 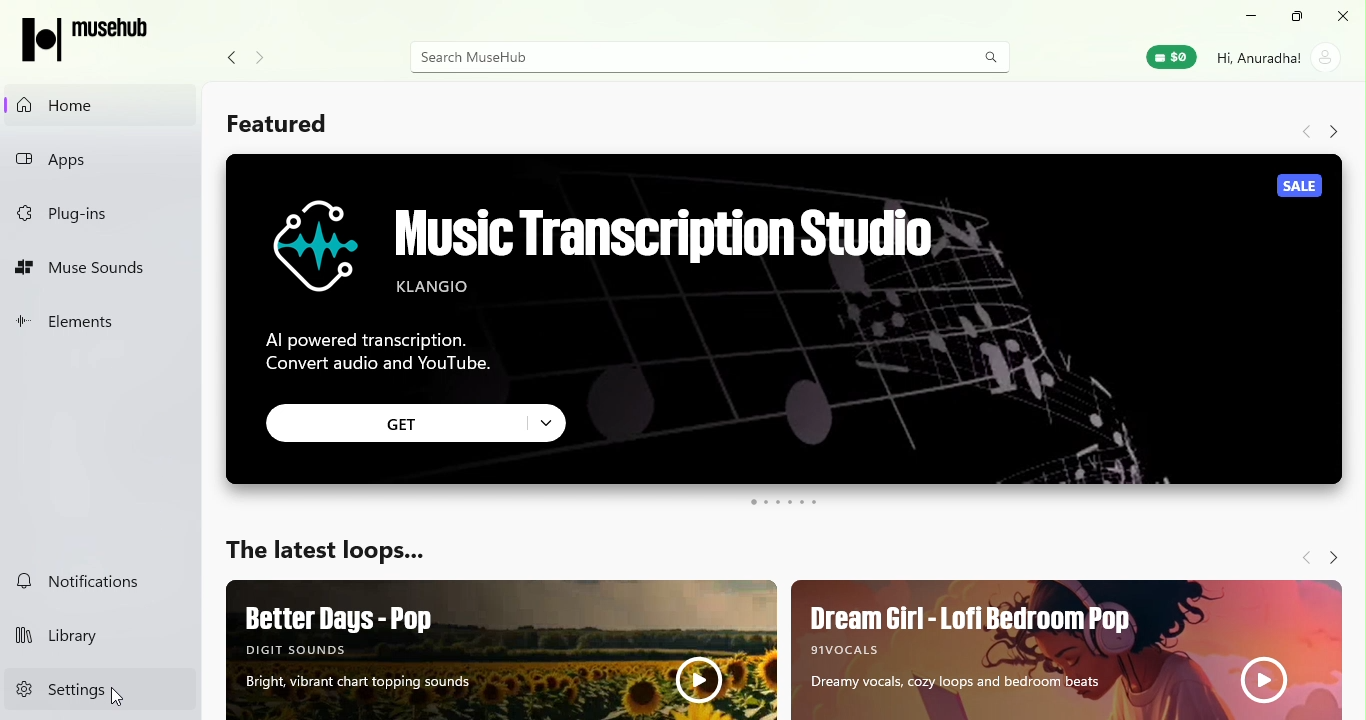 I want to click on navigate forward, so click(x=259, y=59).